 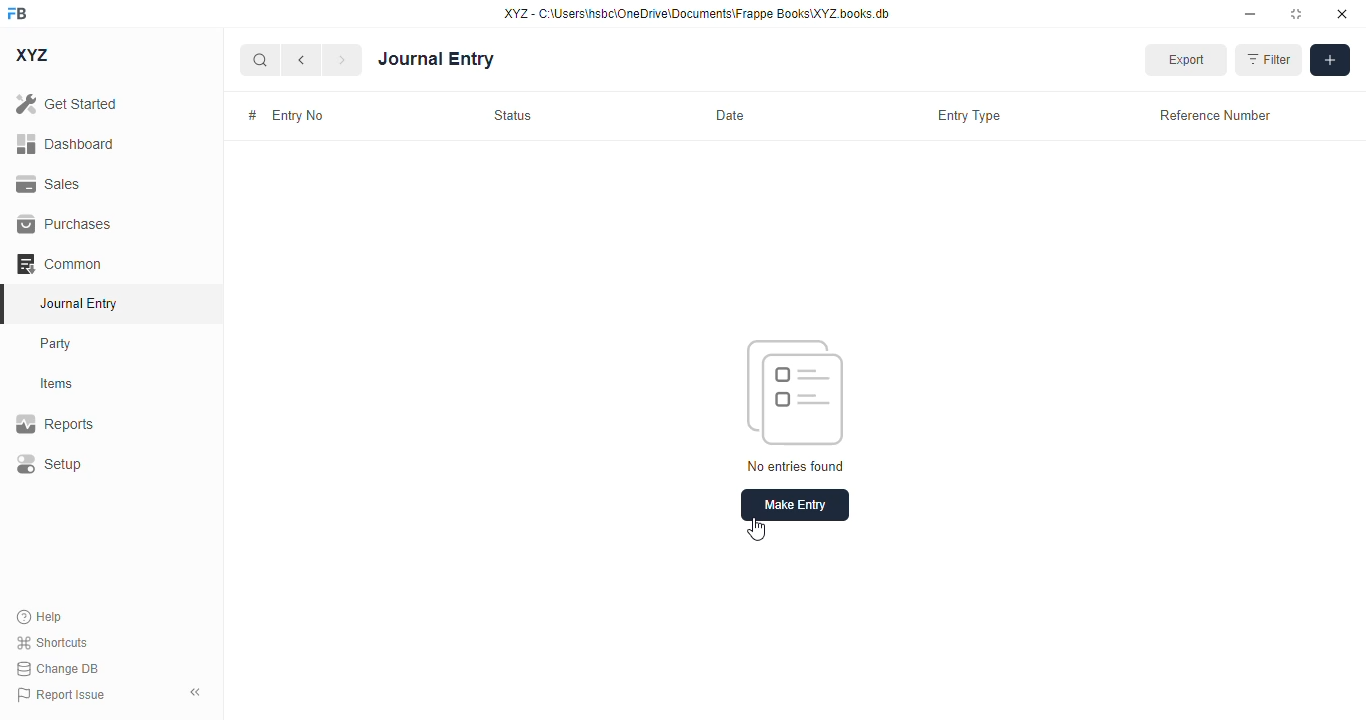 What do you see at coordinates (697, 13) in the screenshot?
I see `XYZ - C:\Users\hsbc\OneDrive\Documents\Frappe Books\XYZ books.db` at bounding box center [697, 13].